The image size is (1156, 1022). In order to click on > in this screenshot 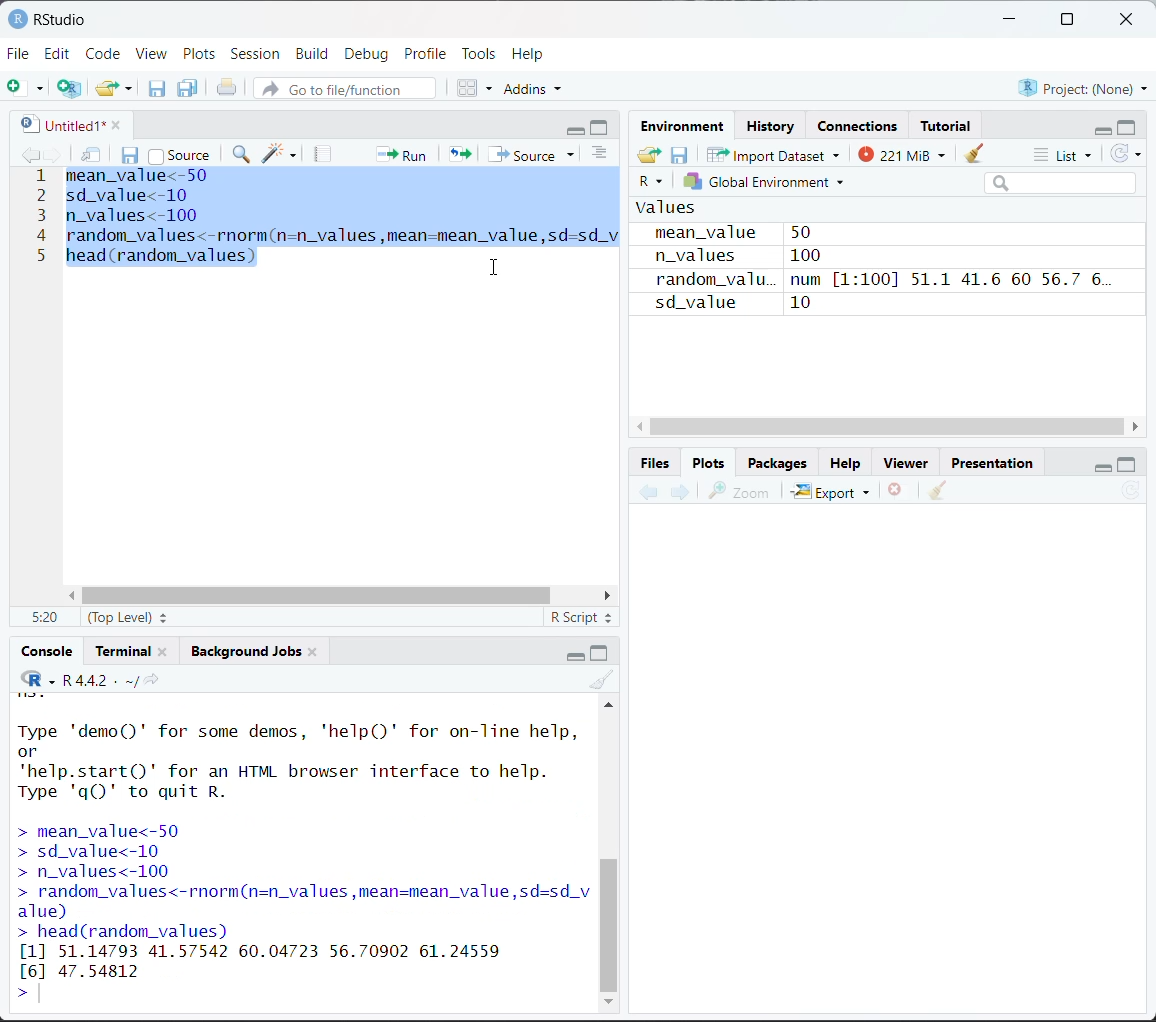, I will do `click(23, 995)`.